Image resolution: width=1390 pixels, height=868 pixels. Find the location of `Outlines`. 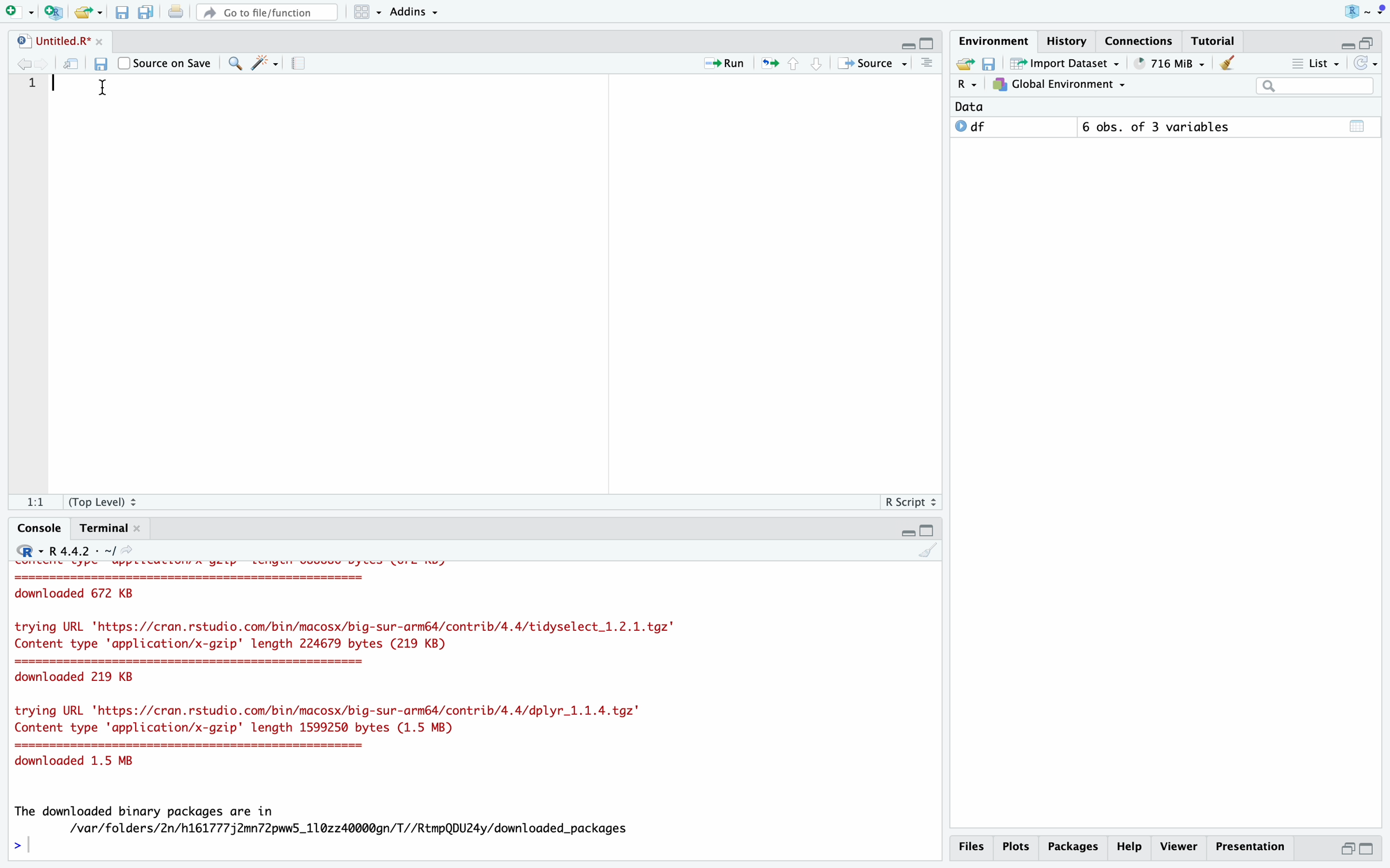

Outlines is located at coordinates (929, 63).